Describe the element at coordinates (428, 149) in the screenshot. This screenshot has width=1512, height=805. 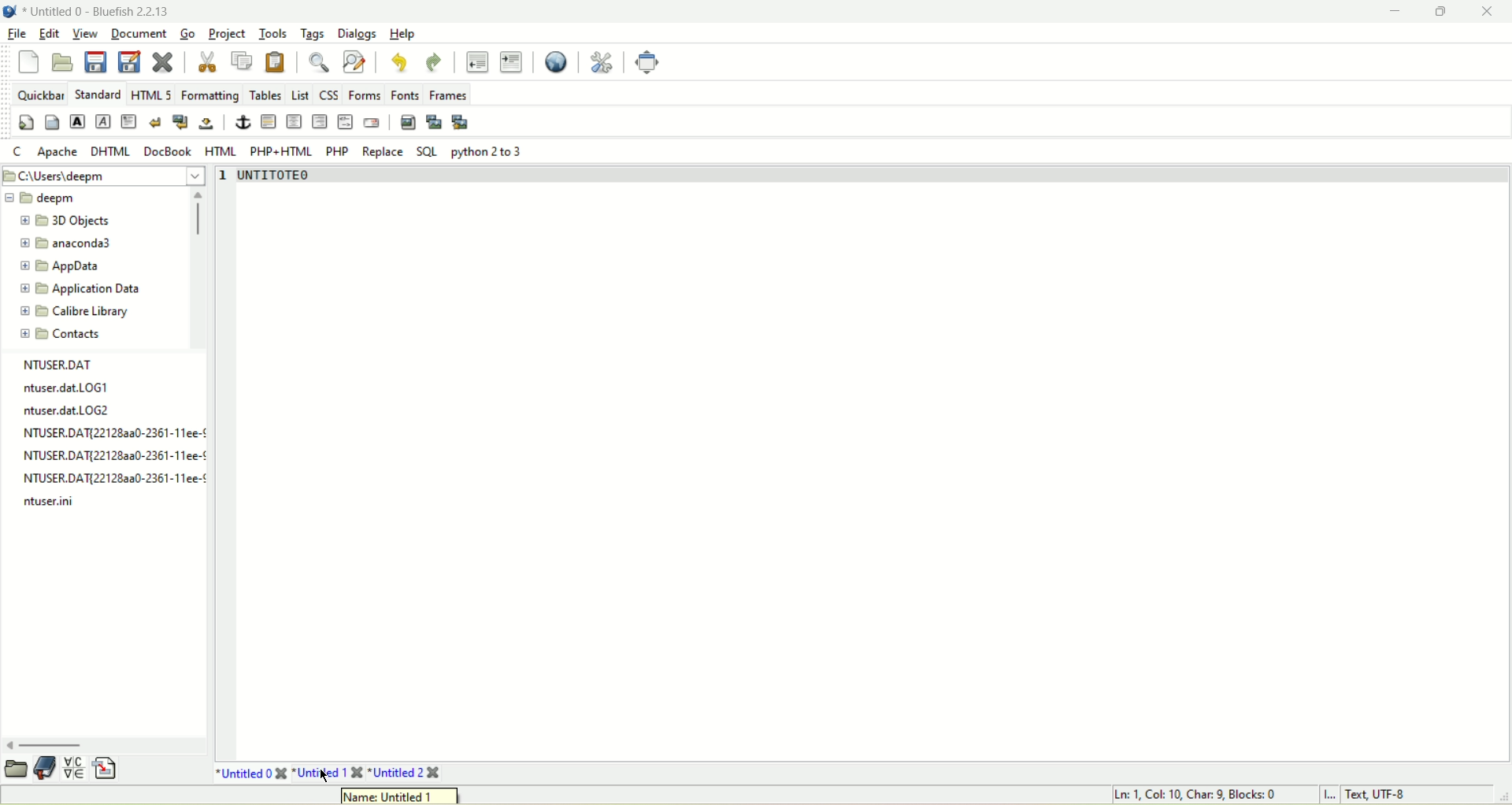
I see `SOL` at that location.